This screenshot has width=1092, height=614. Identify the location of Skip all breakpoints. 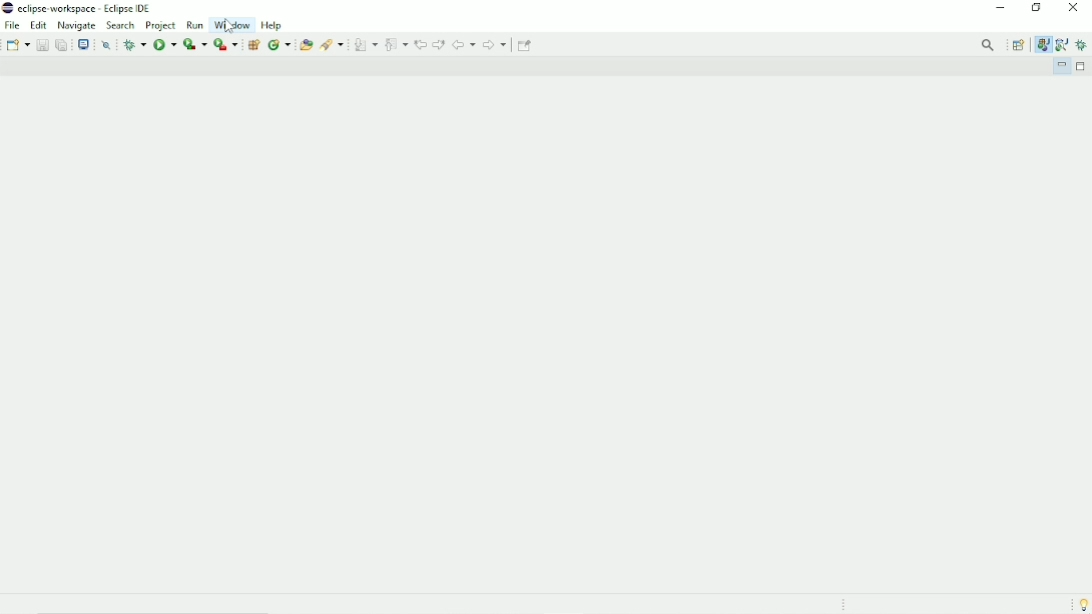
(108, 45).